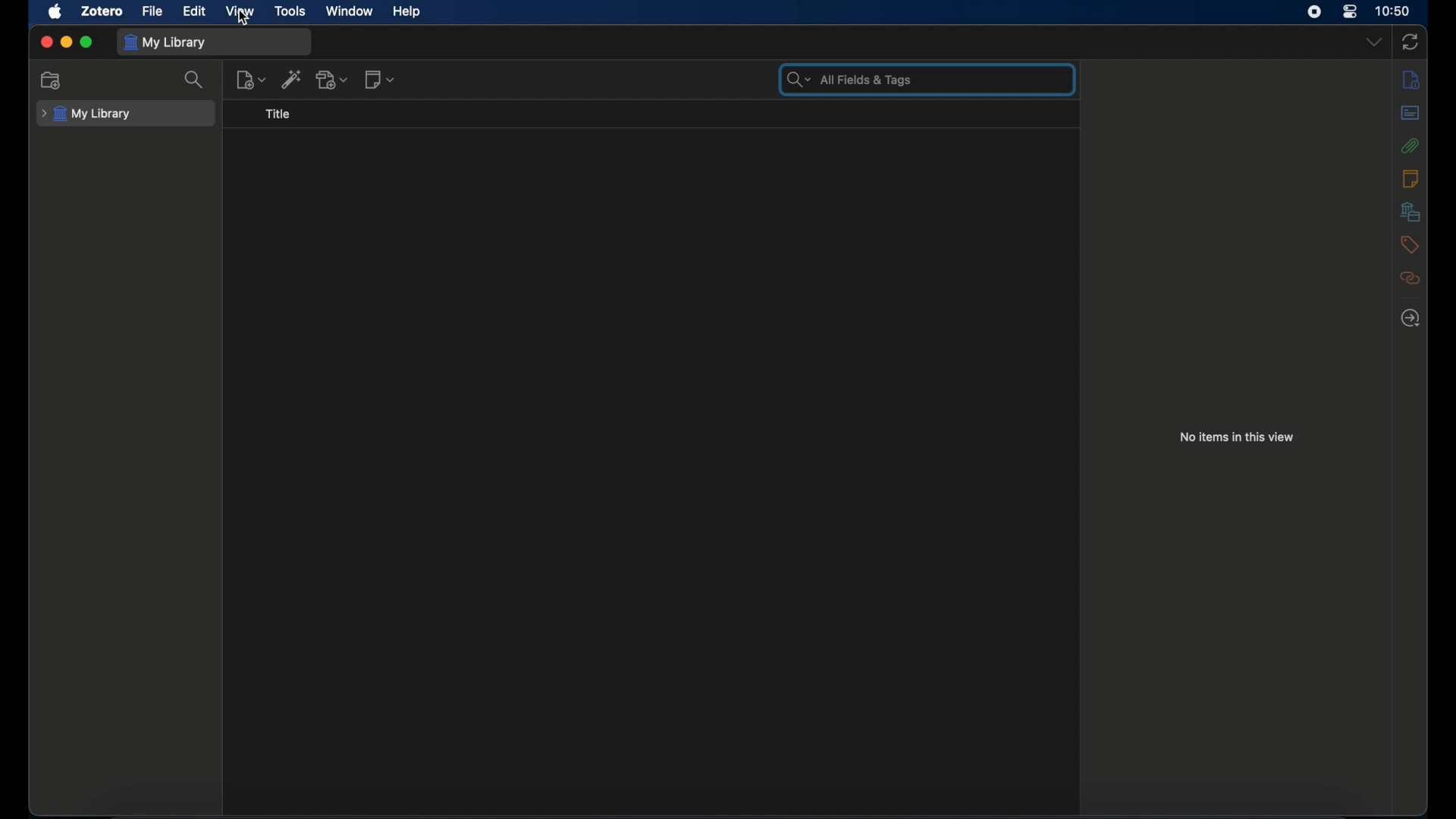 Image resolution: width=1456 pixels, height=819 pixels. I want to click on tags, so click(1409, 245).